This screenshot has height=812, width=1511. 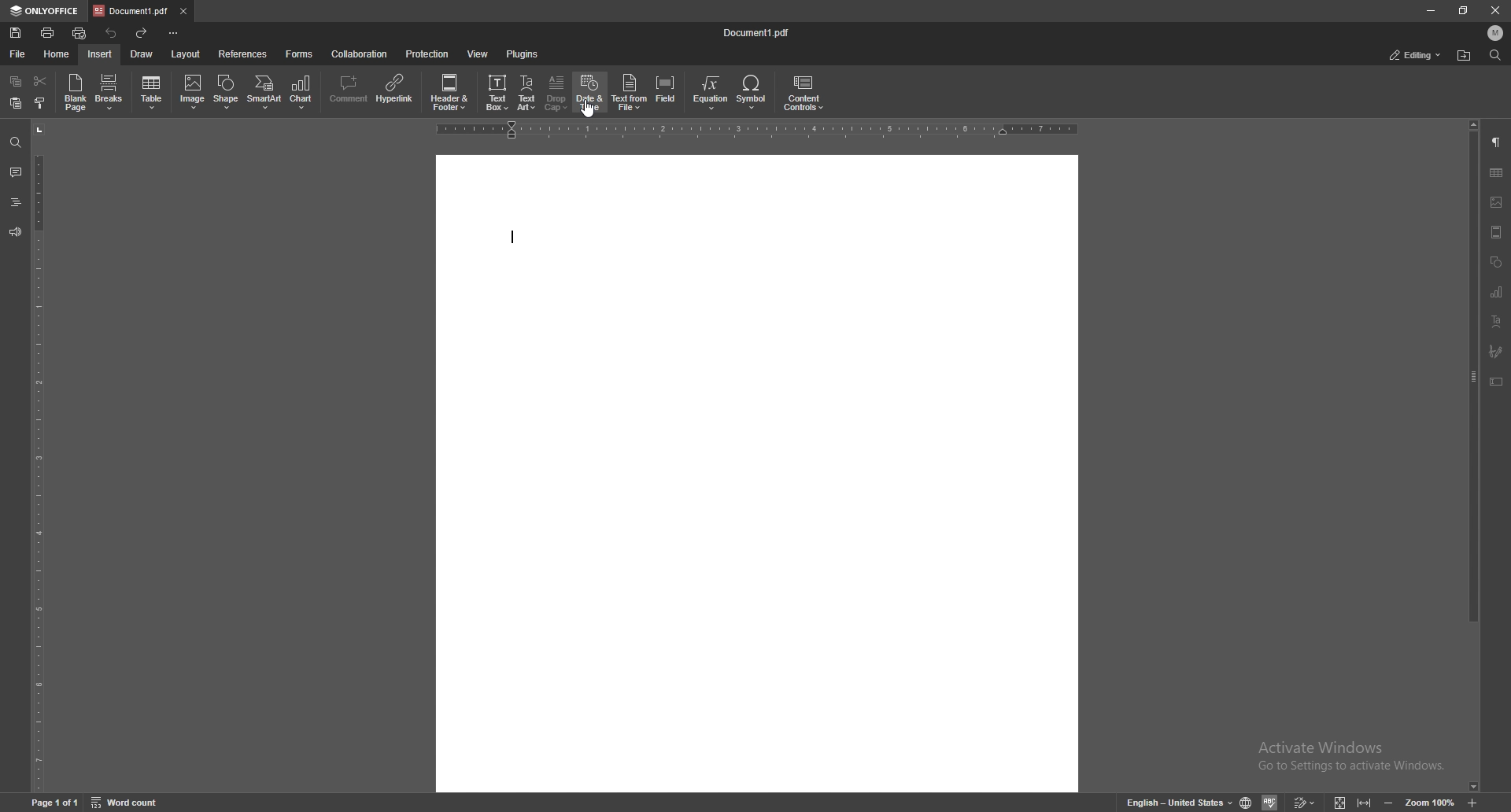 I want to click on text art, so click(x=527, y=92).